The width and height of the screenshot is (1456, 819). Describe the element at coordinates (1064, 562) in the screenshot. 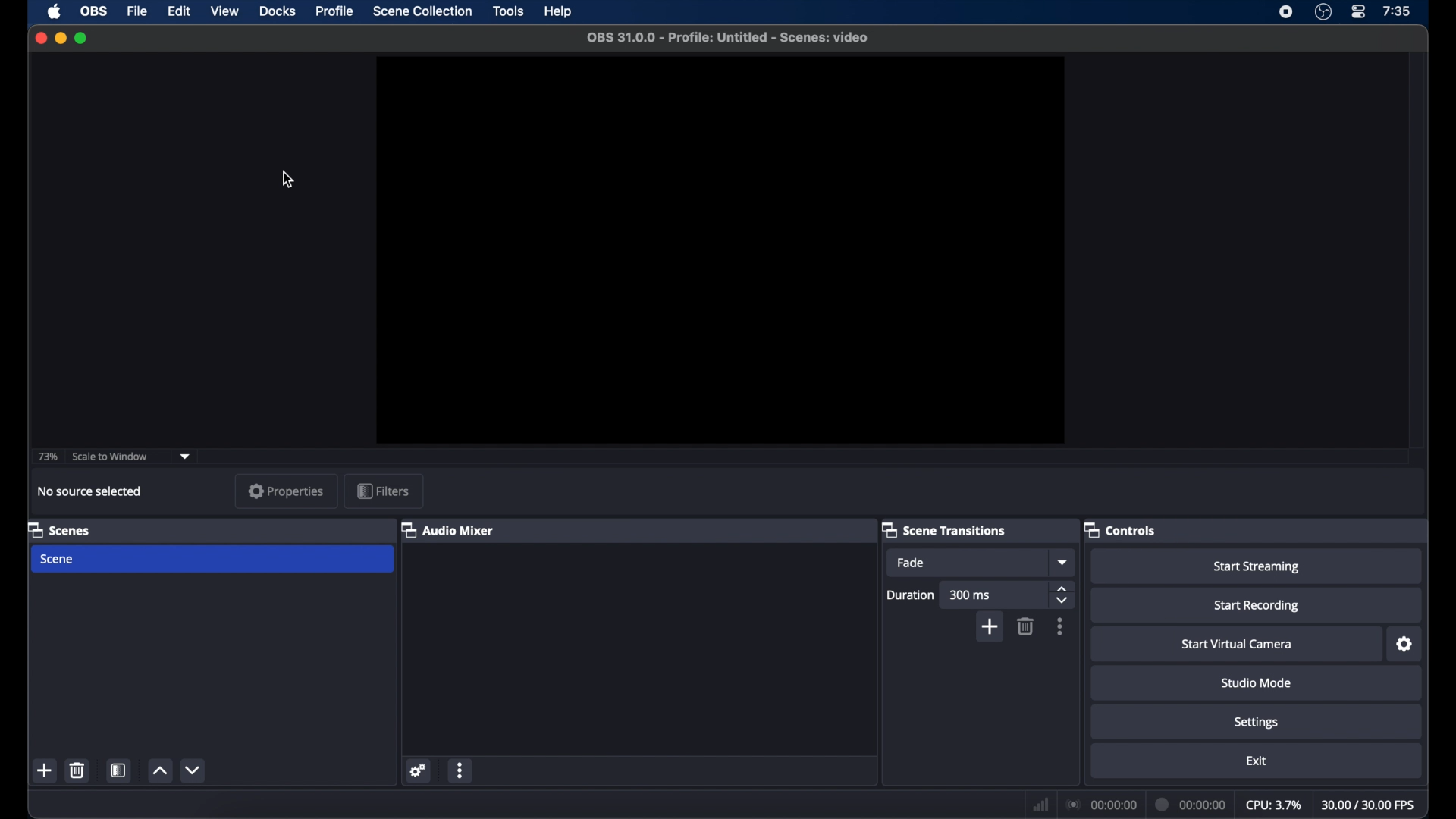

I see `dropdown` at that location.